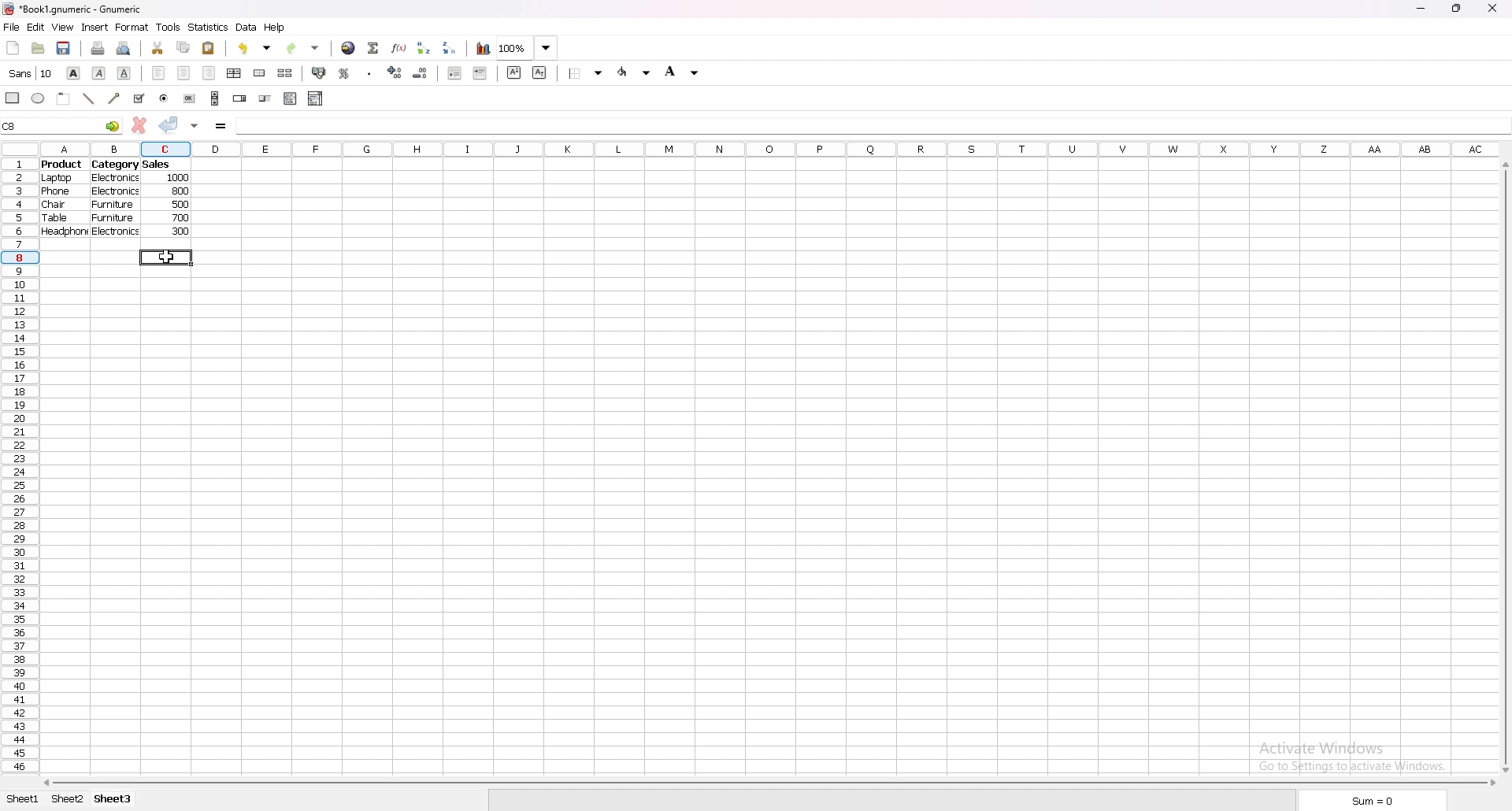  Describe the element at coordinates (395, 74) in the screenshot. I see `increase decimal` at that location.